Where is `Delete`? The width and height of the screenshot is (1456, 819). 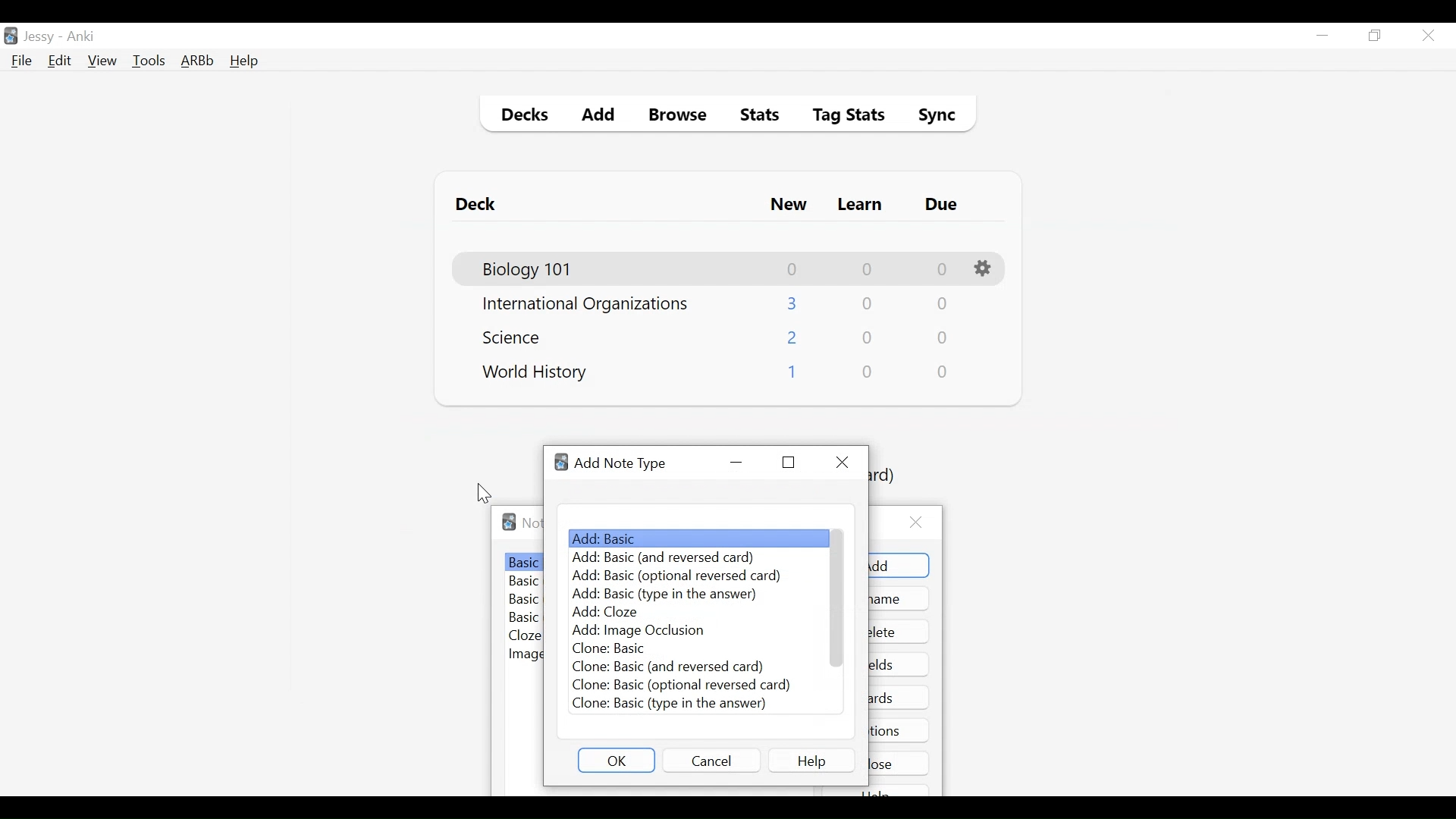 Delete is located at coordinates (899, 632).